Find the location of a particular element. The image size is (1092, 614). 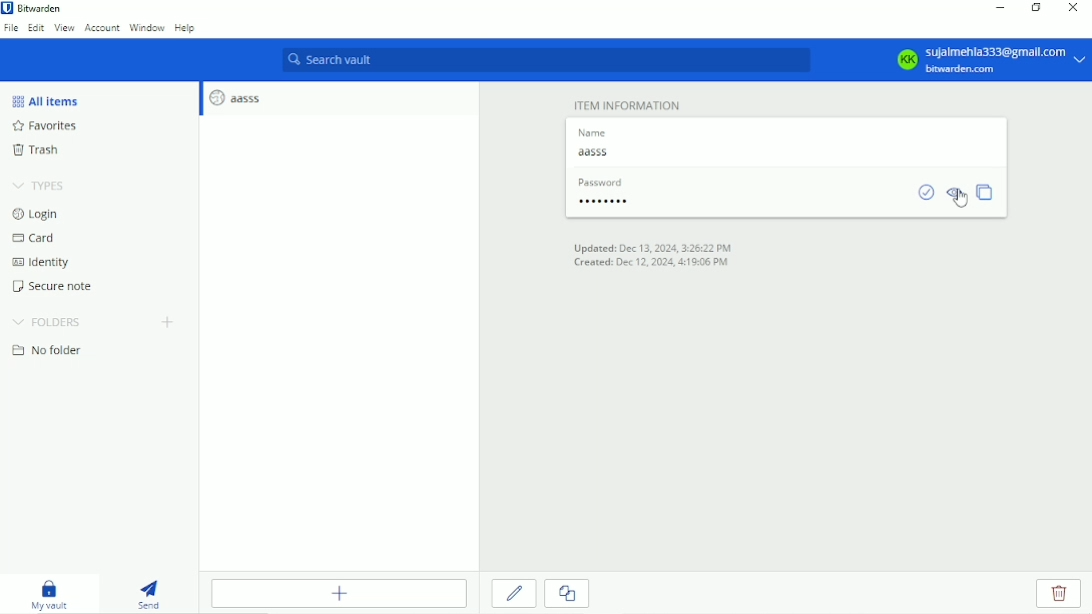

Copy password is located at coordinates (989, 192).